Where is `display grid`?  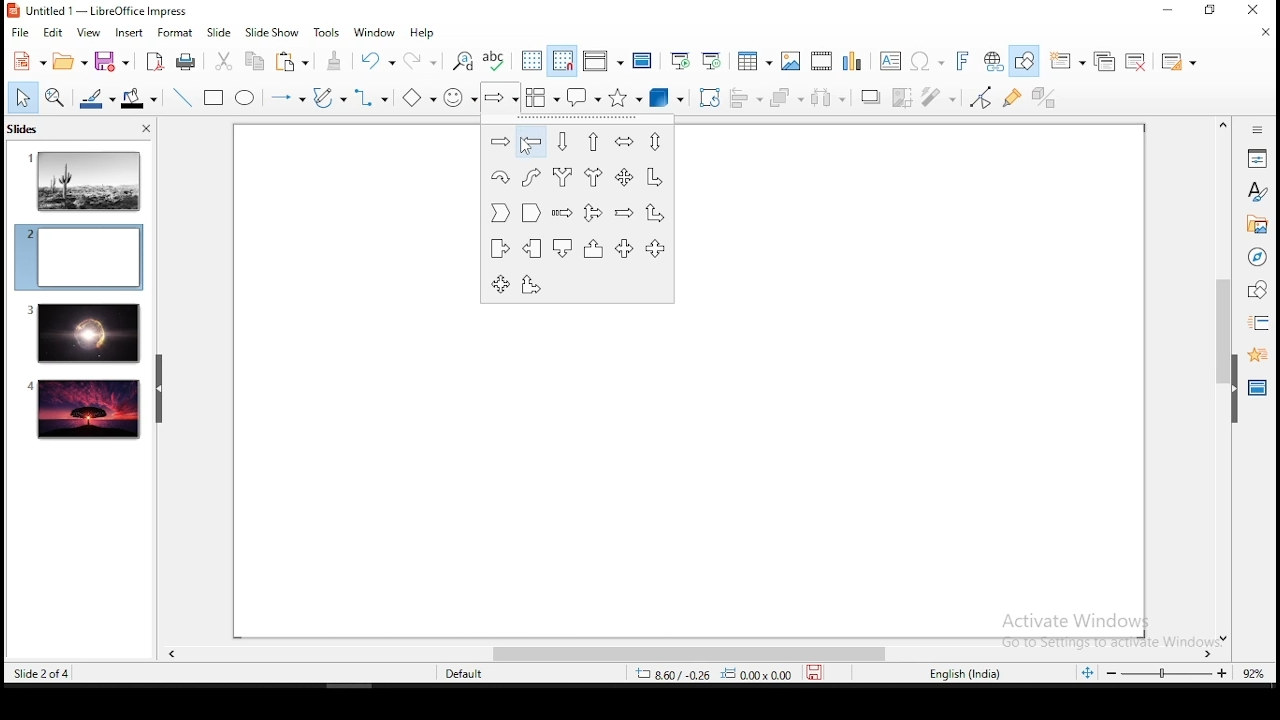
display grid is located at coordinates (531, 60).